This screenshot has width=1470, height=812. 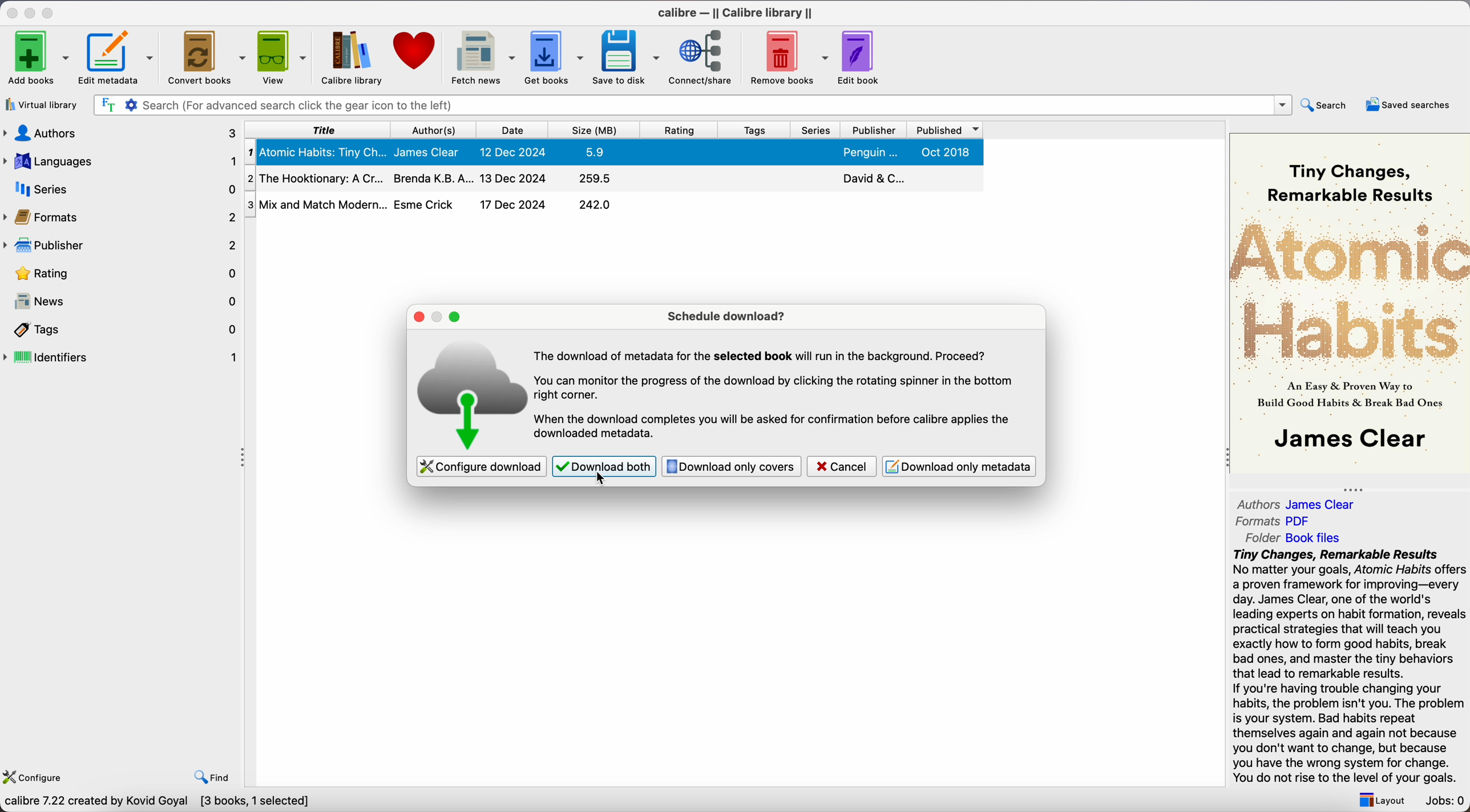 What do you see at coordinates (314, 203) in the screenshot?
I see `Mix and Match Modern...` at bounding box center [314, 203].